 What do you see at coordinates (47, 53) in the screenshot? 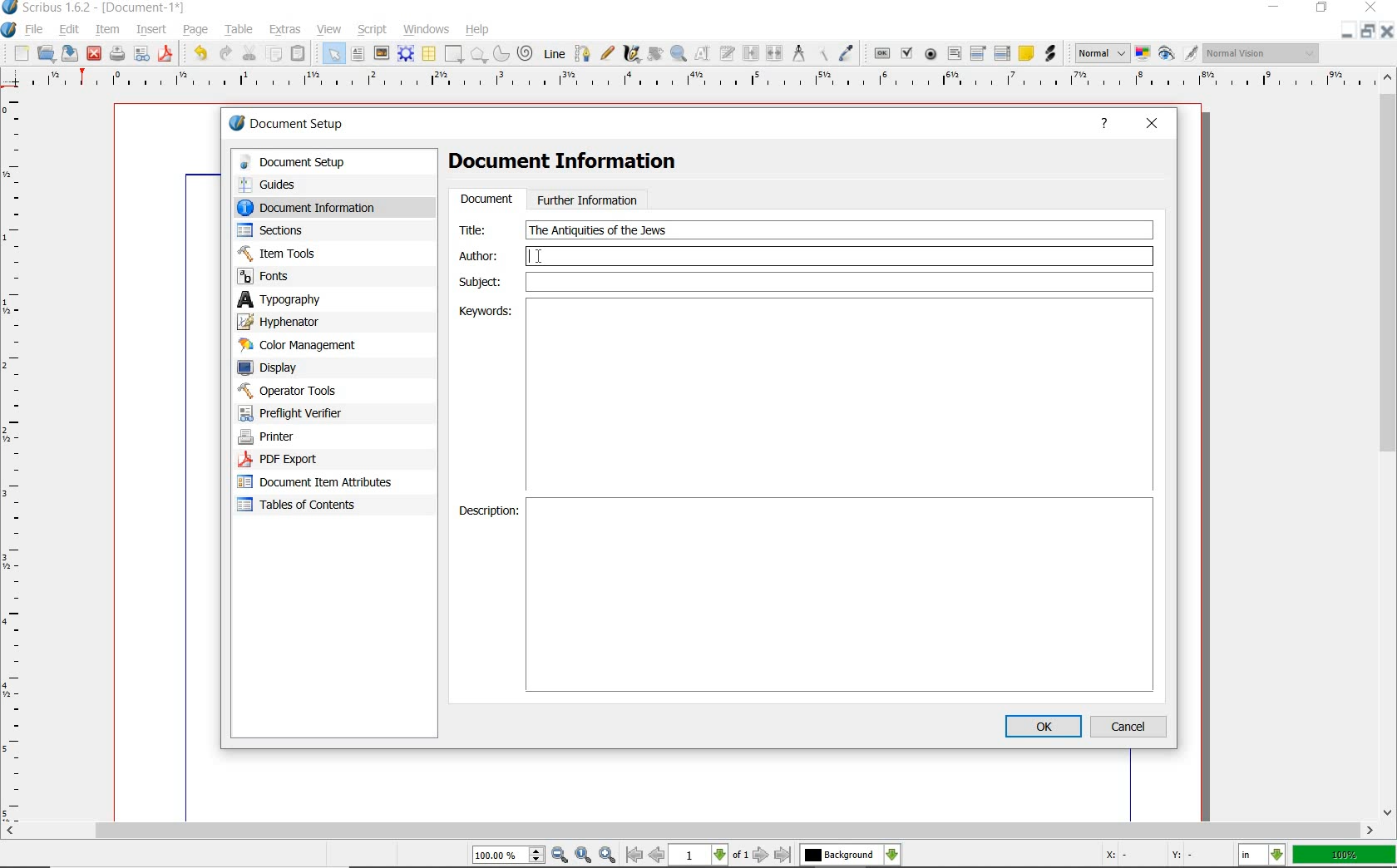
I see `open` at bounding box center [47, 53].